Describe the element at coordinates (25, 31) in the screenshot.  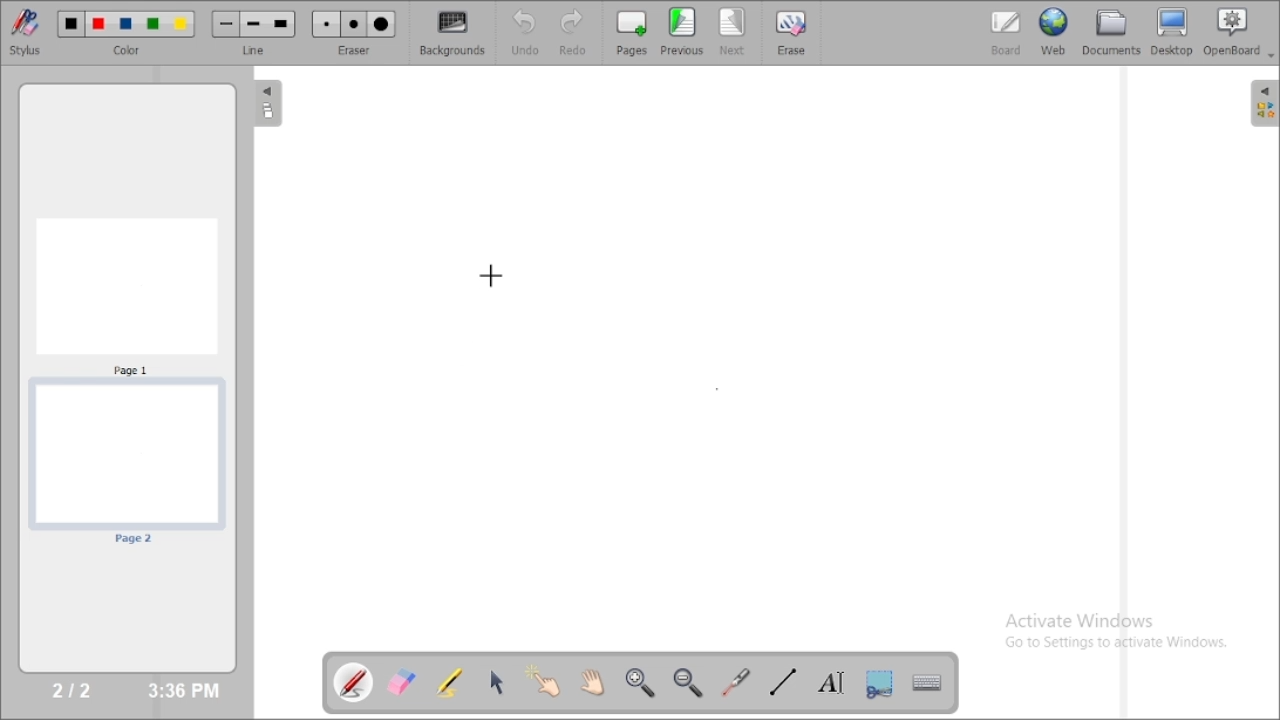
I see `stylus` at that location.